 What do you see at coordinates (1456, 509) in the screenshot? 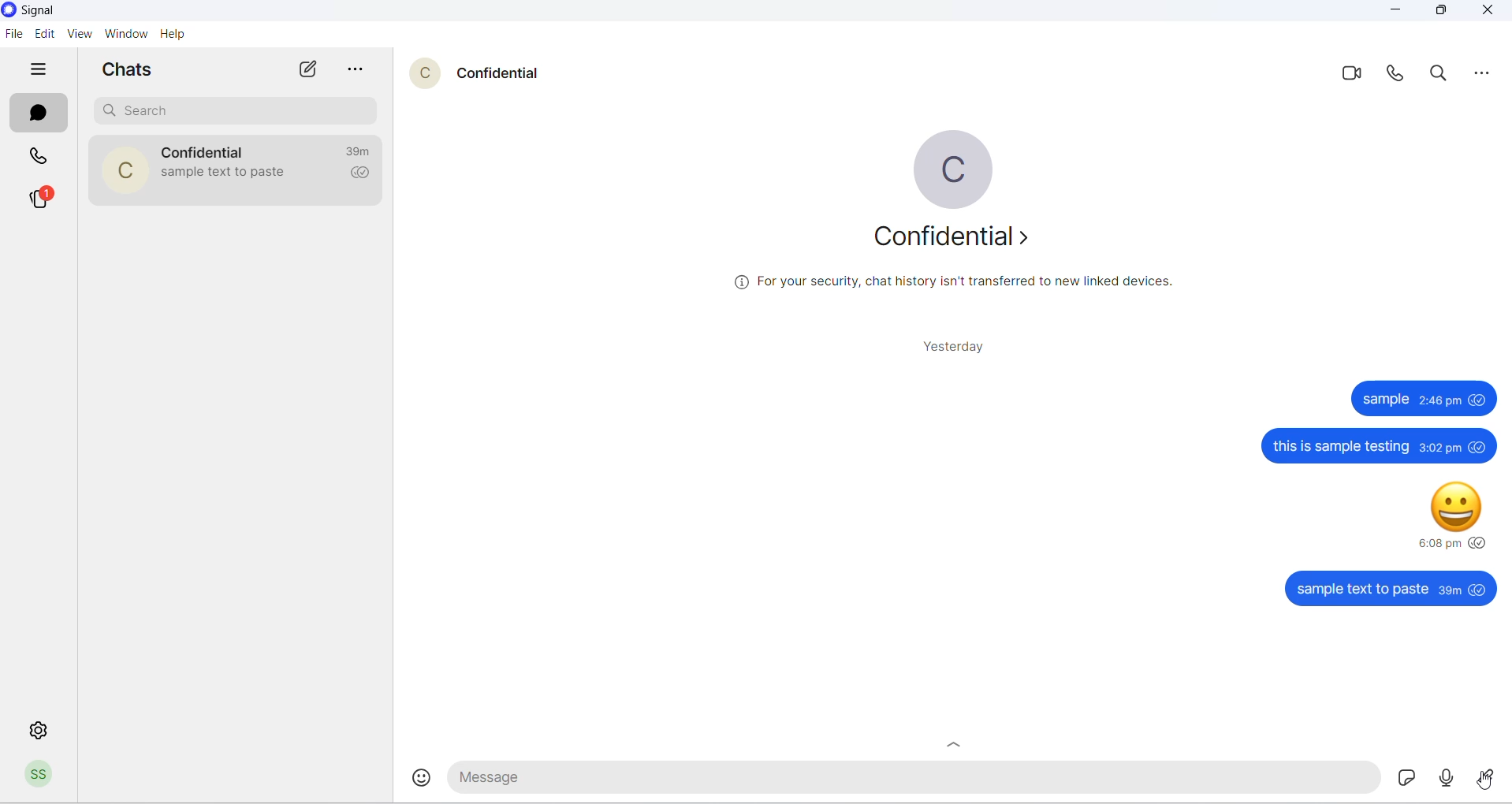
I see `Smiley emoji` at bounding box center [1456, 509].